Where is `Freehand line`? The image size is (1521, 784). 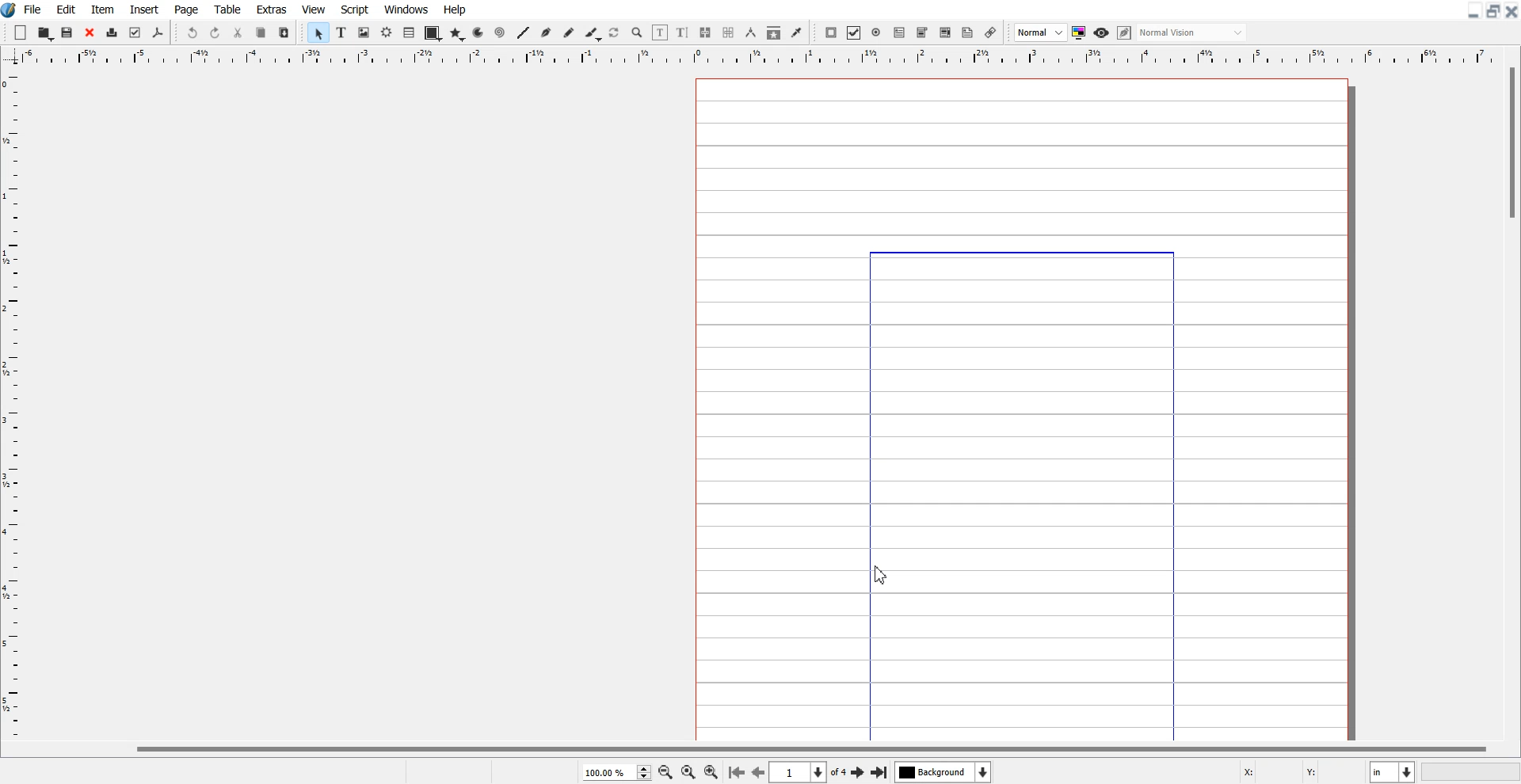
Freehand line is located at coordinates (569, 32).